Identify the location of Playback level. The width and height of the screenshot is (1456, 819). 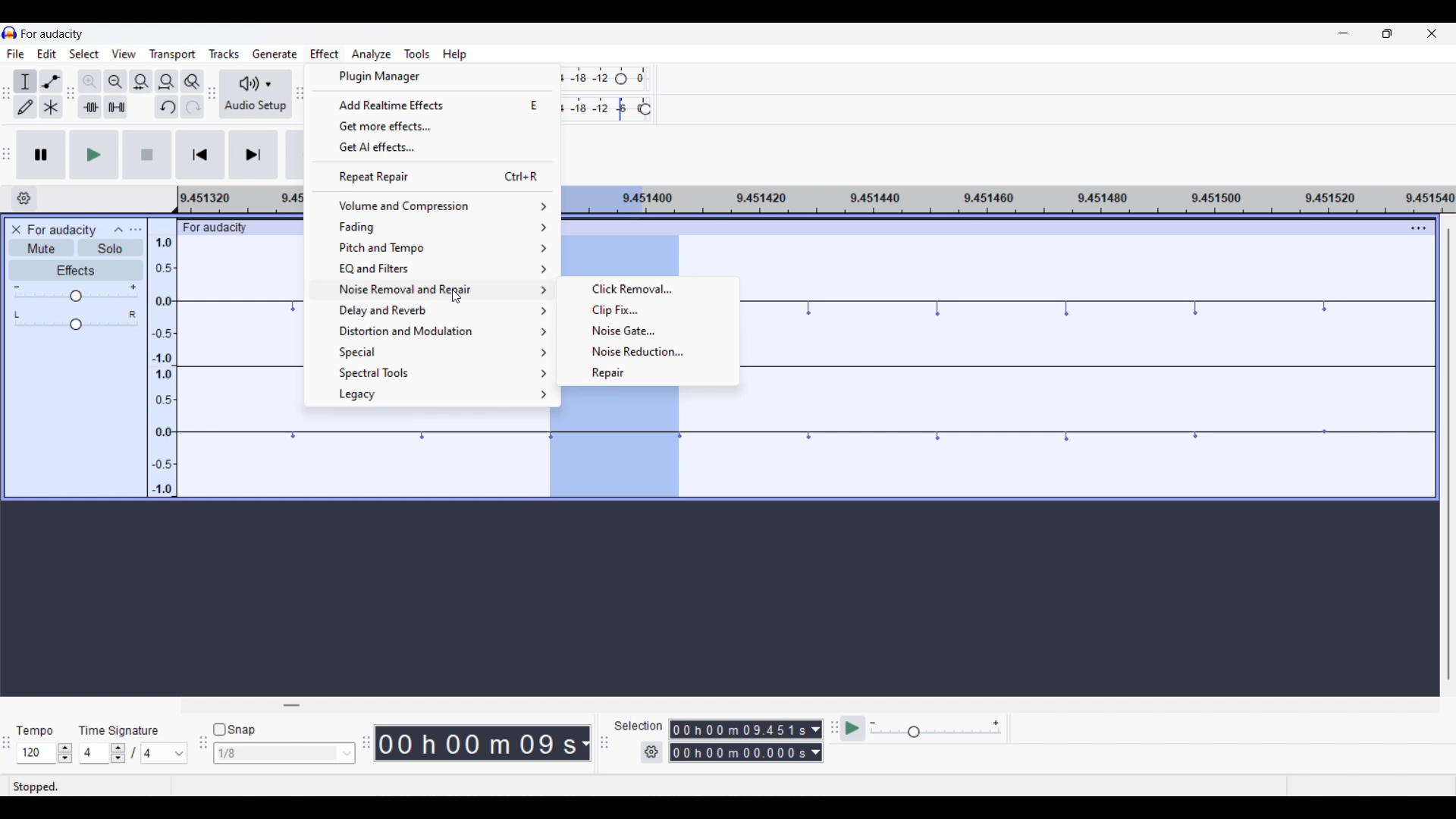
(610, 107).